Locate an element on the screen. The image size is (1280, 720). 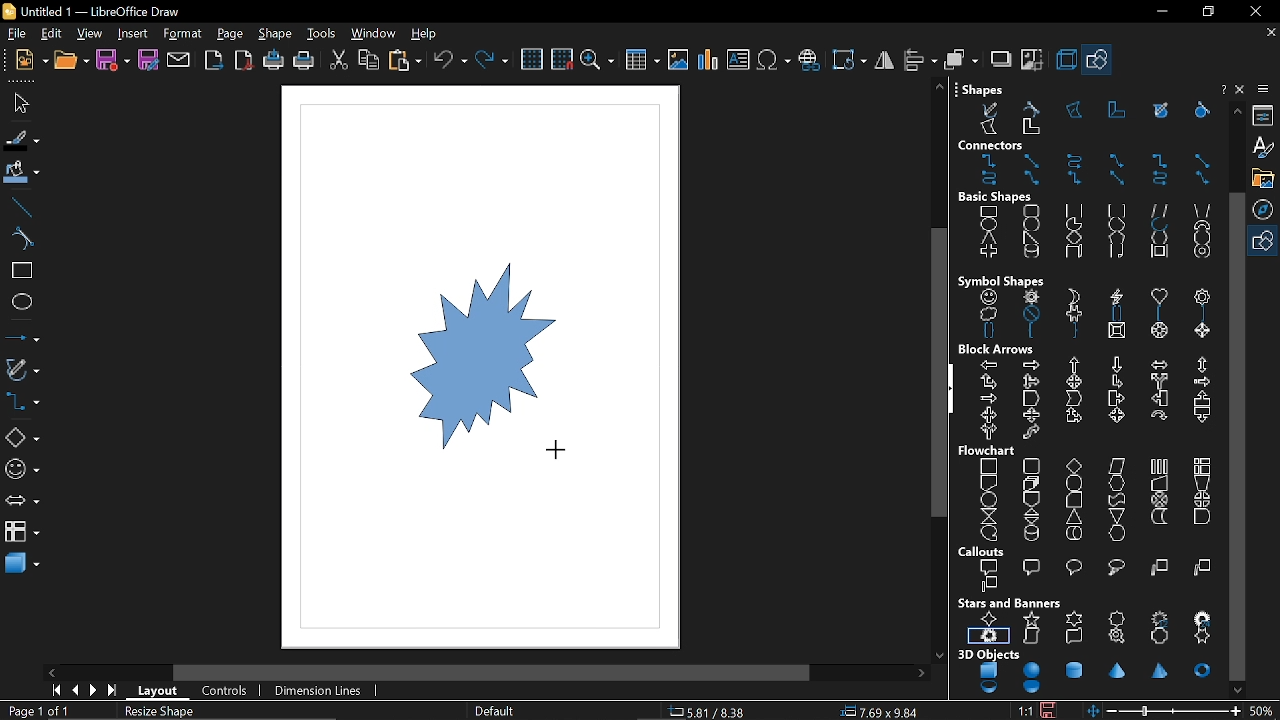
current page (Page 1 of 1) is located at coordinates (37, 711).